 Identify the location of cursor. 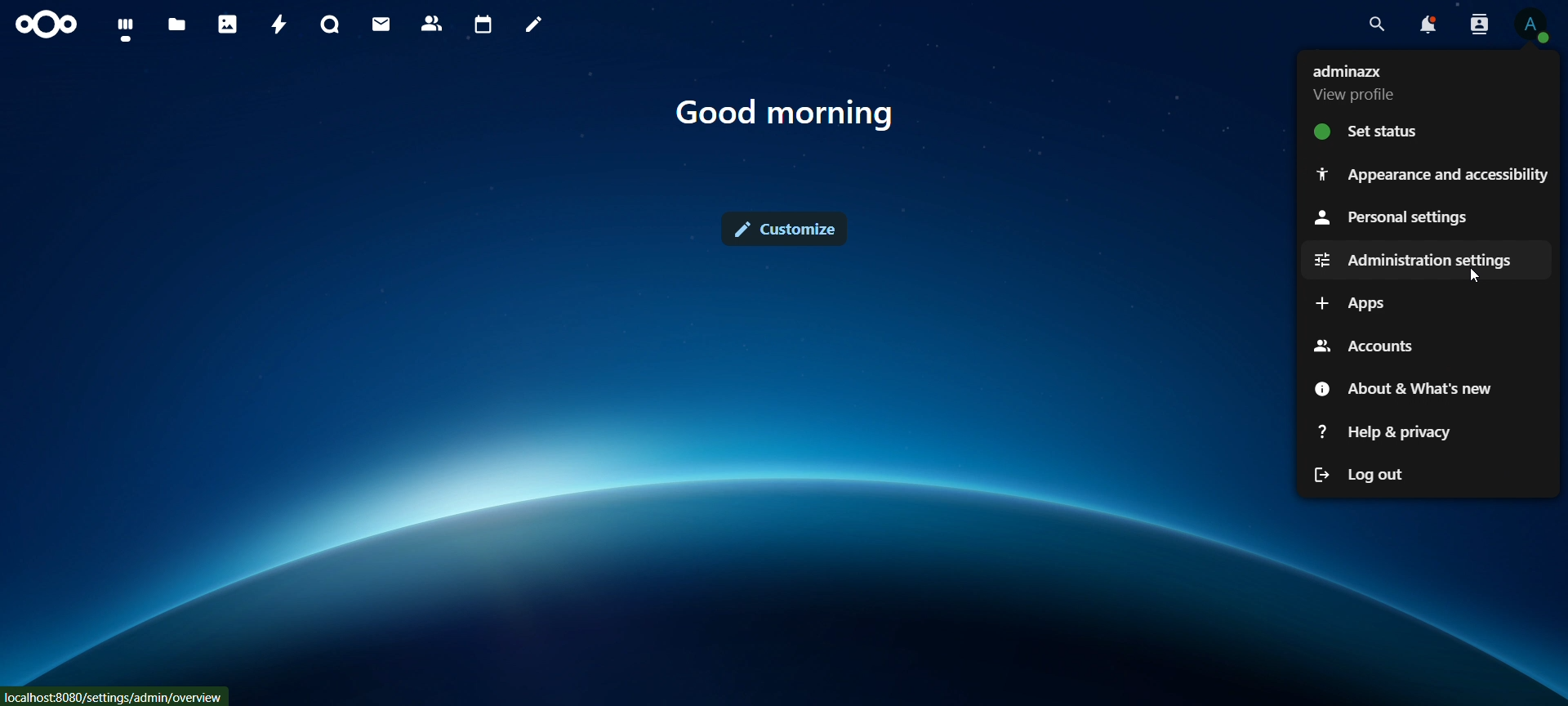
(1475, 281).